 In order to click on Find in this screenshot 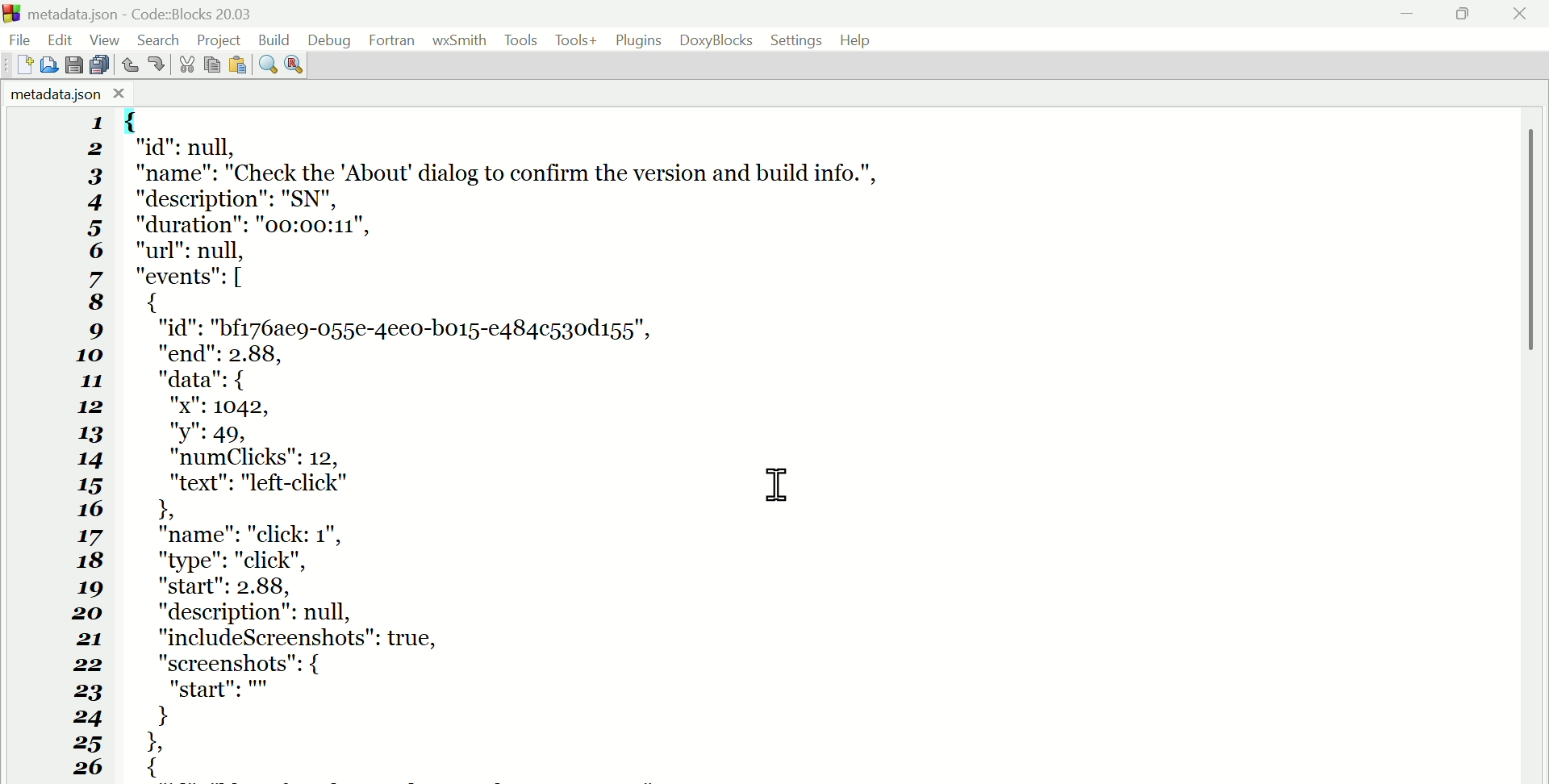, I will do `click(267, 67)`.